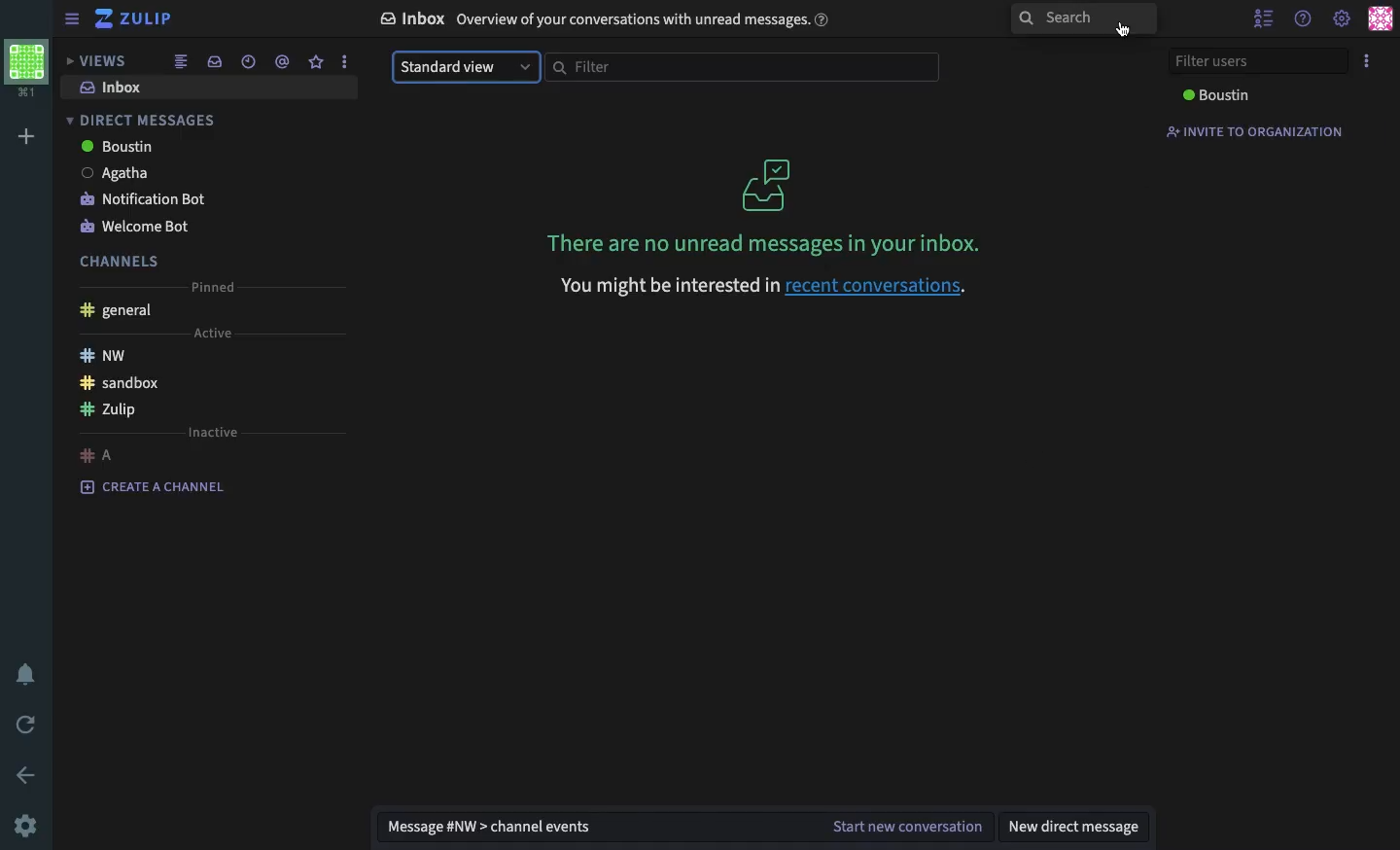  Describe the element at coordinates (28, 722) in the screenshot. I see `refresh ` at that location.